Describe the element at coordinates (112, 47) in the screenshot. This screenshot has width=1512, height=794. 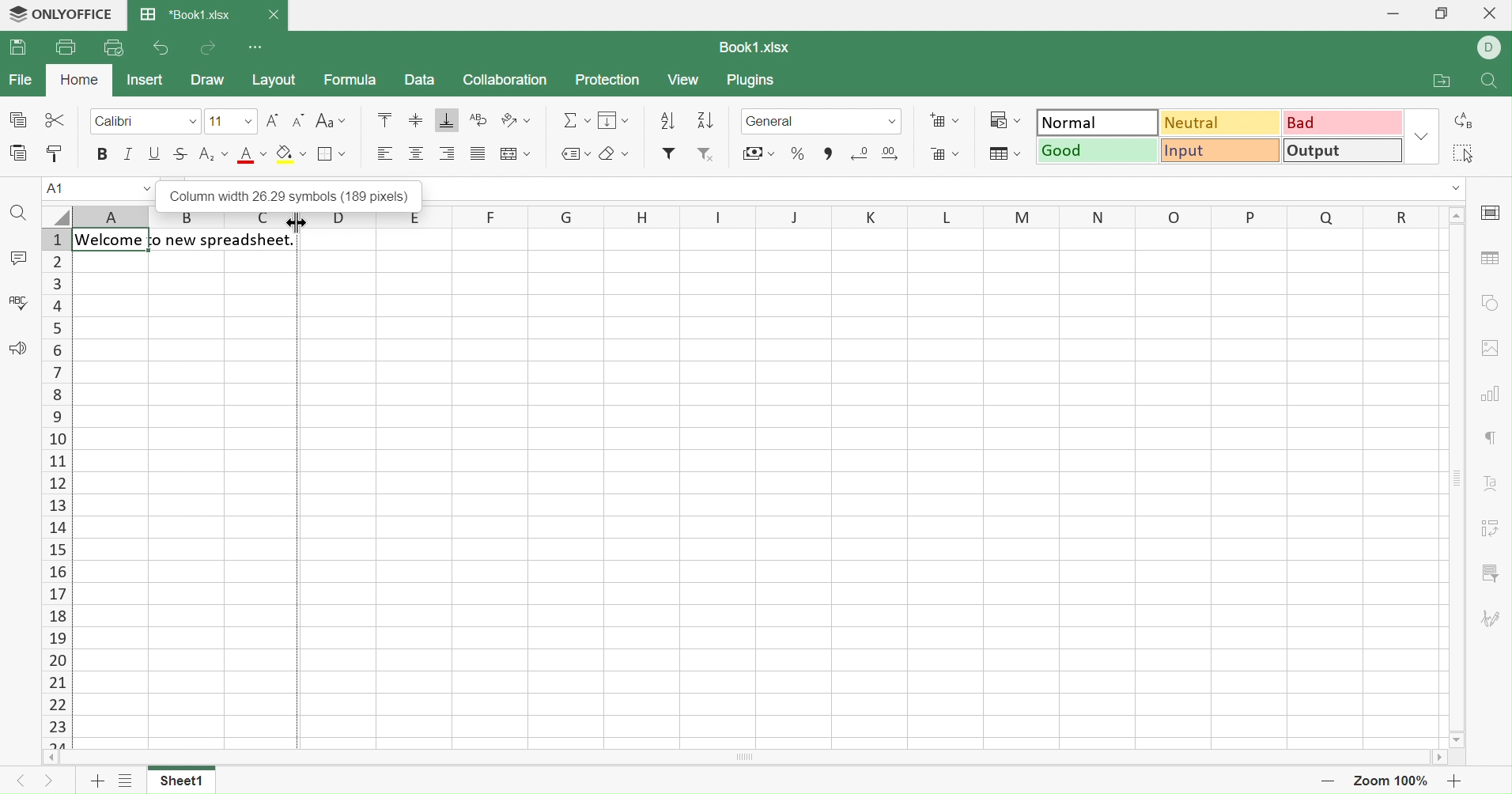
I see `Quick Print` at that location.